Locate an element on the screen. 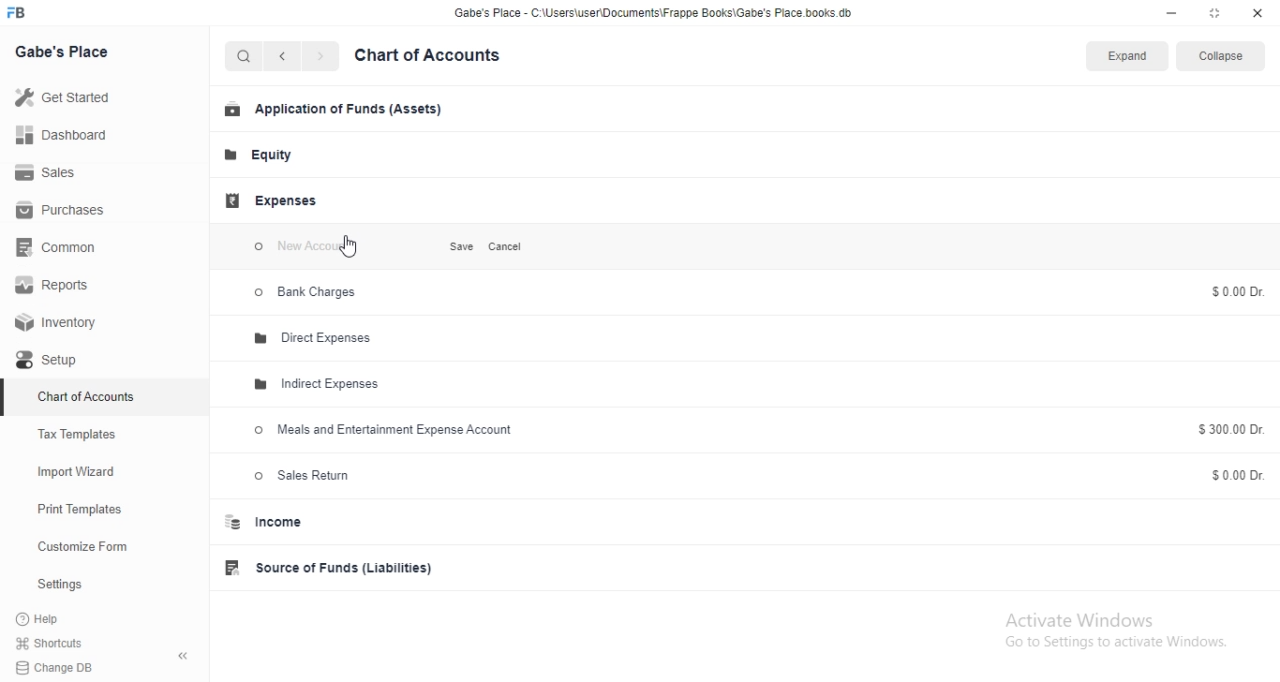 The image size is (1280, 682). Import Wizard is located at coordinates (79, 473).